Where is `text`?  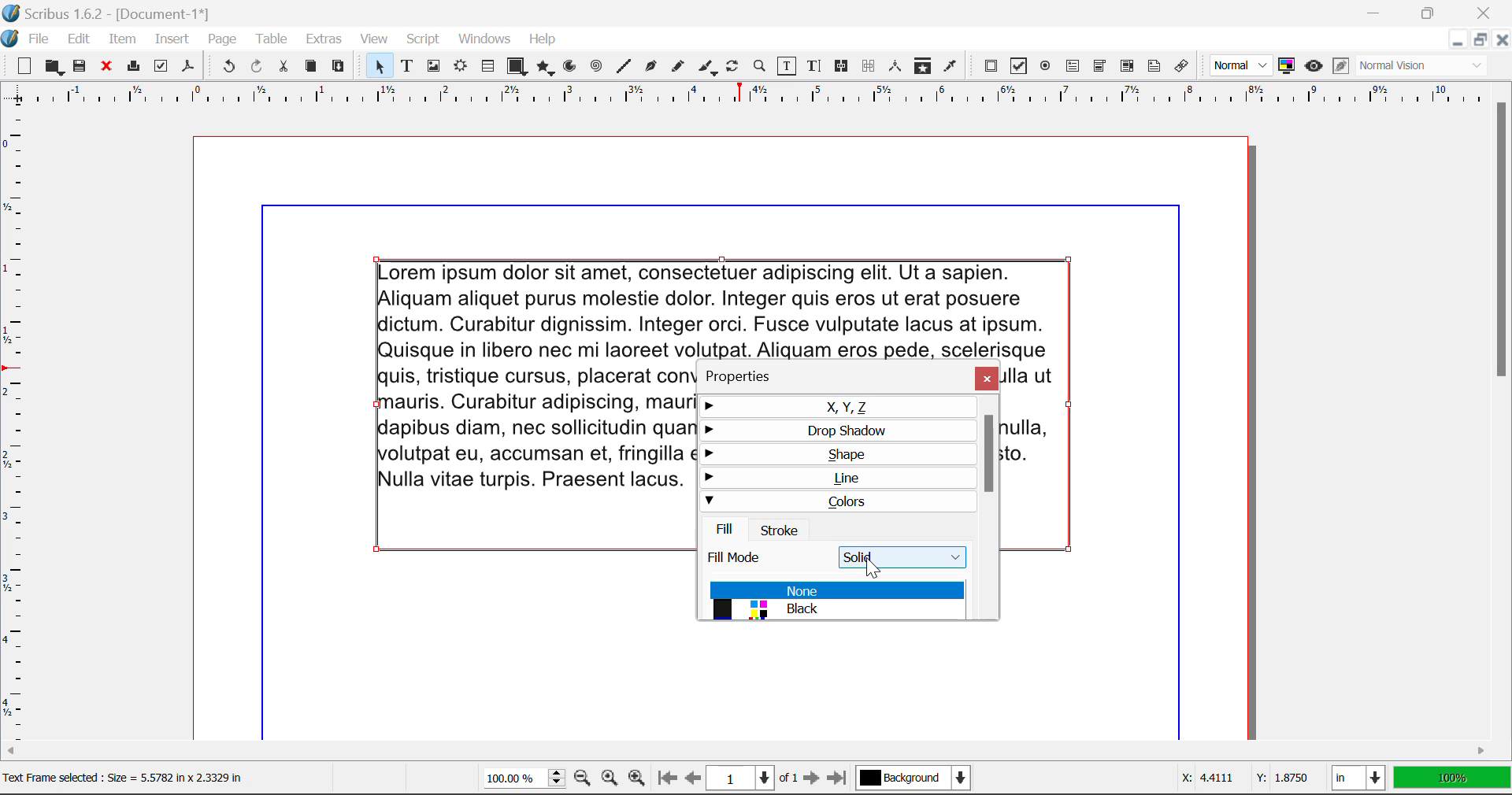 text is located at coordinates (535, 428).